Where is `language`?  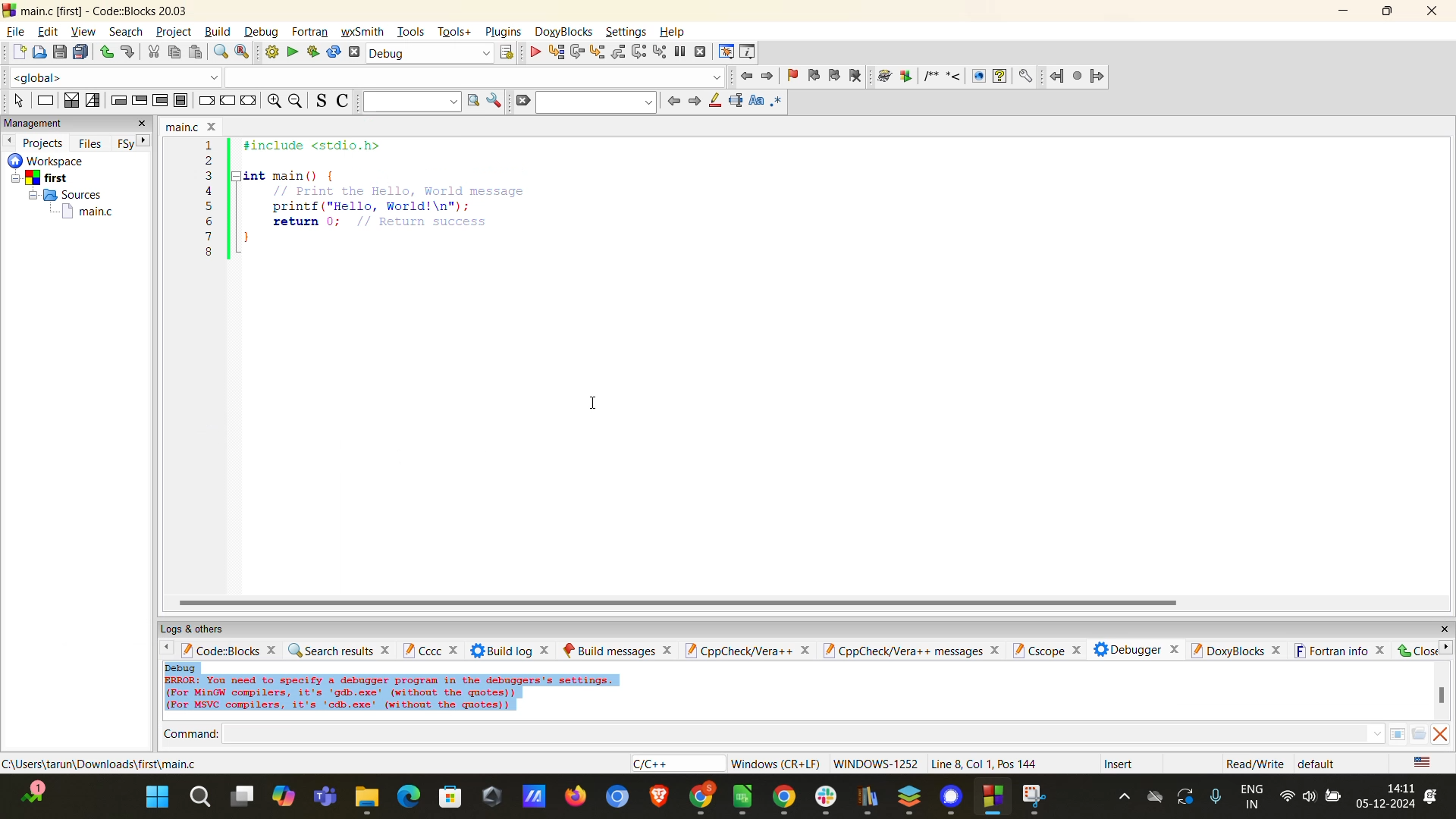
language is located at coordinates (1254, 796).